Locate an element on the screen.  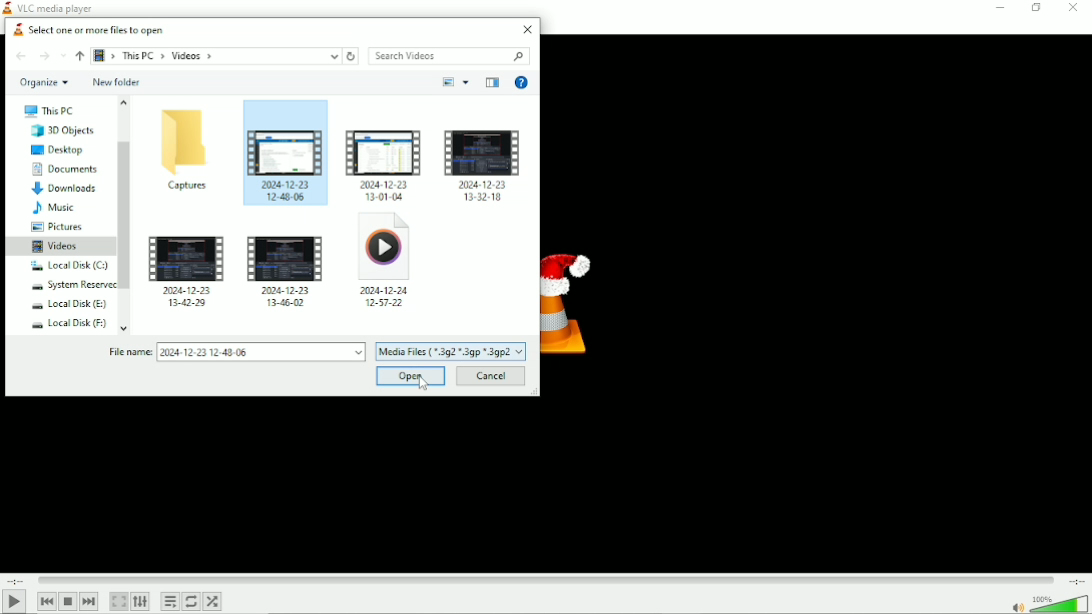
Captures is located at coordinates (185, 151).